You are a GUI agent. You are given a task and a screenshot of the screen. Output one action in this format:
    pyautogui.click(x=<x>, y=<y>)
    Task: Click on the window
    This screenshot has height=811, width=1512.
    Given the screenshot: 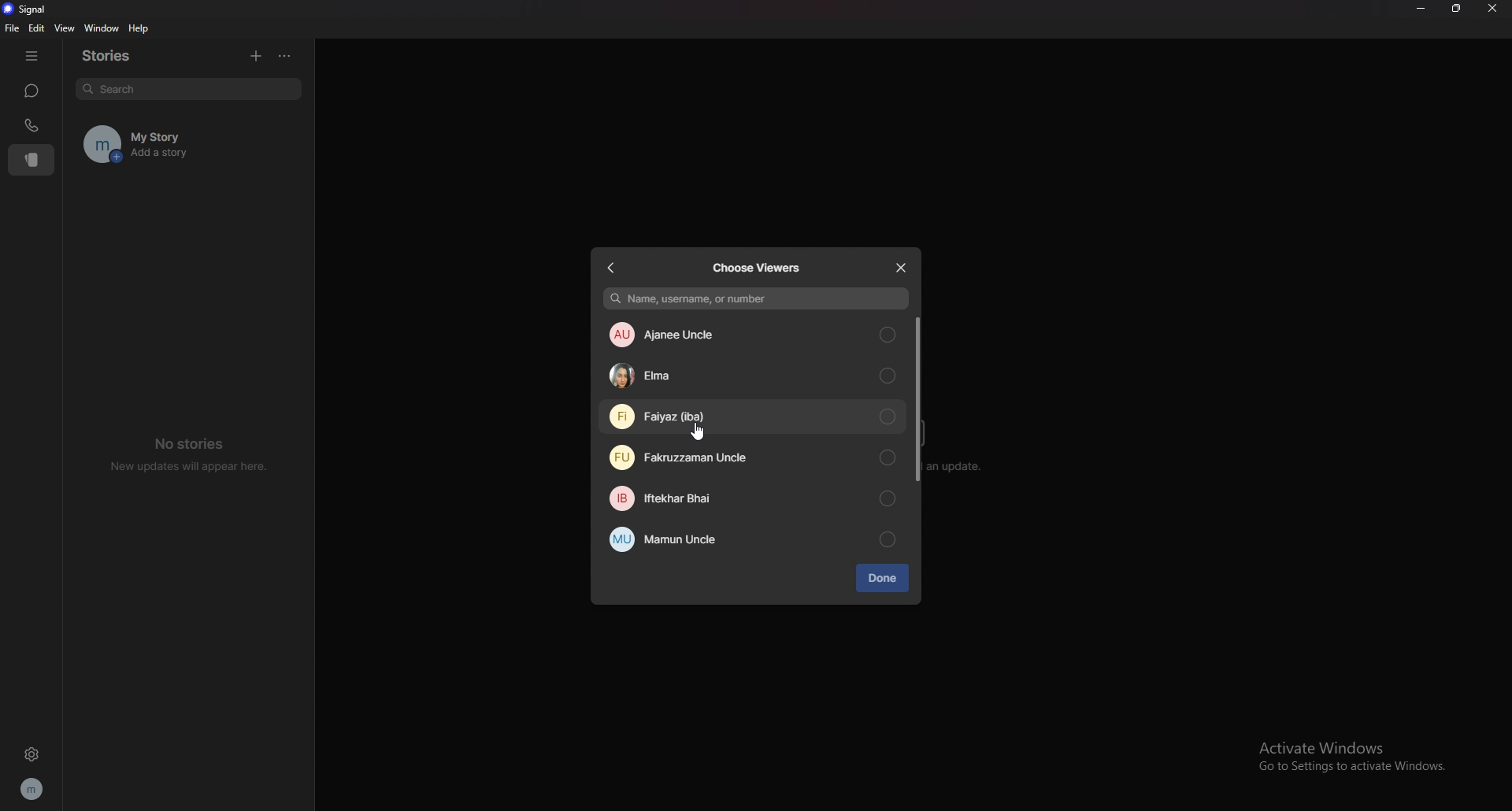 What is the action you would take?
    pyautogui.click(x=102, y=28)
    